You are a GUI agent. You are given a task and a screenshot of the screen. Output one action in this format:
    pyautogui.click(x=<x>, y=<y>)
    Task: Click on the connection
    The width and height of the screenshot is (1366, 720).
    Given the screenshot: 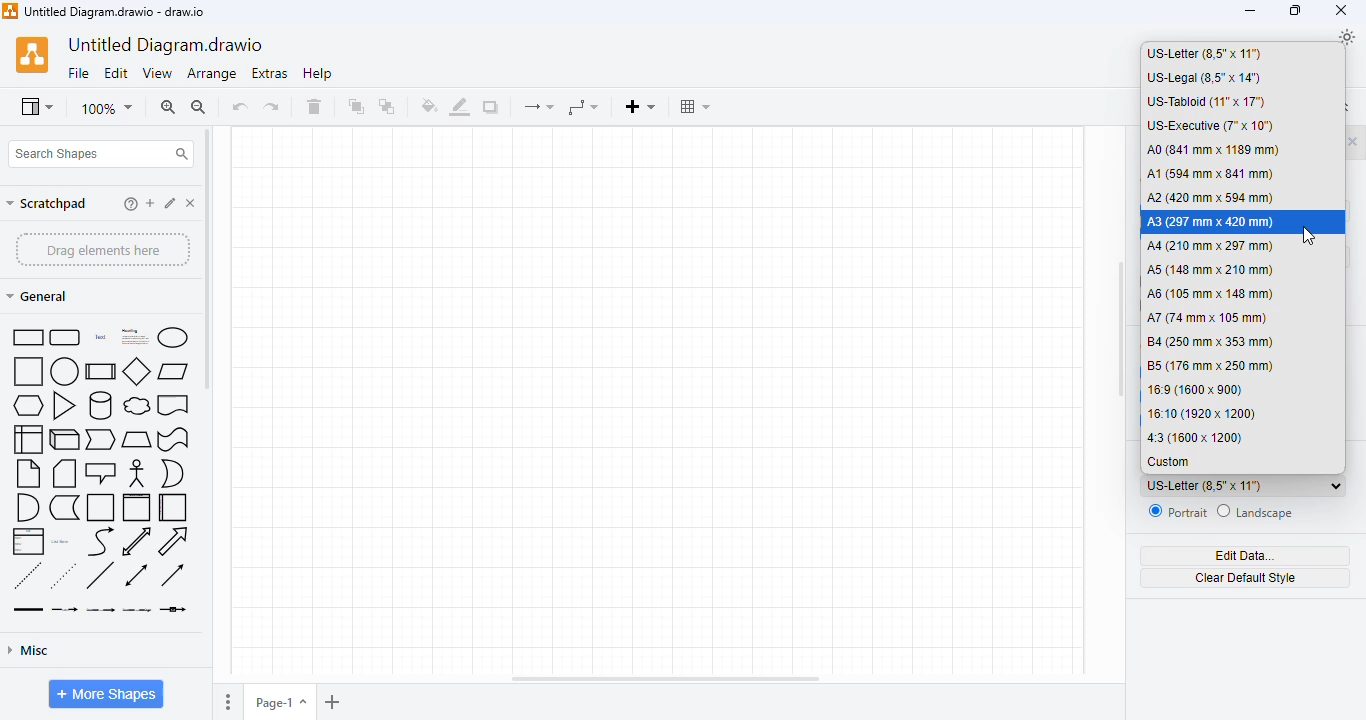 What is the action you would take?
    pyautogui.click(x=538, y=107)
    